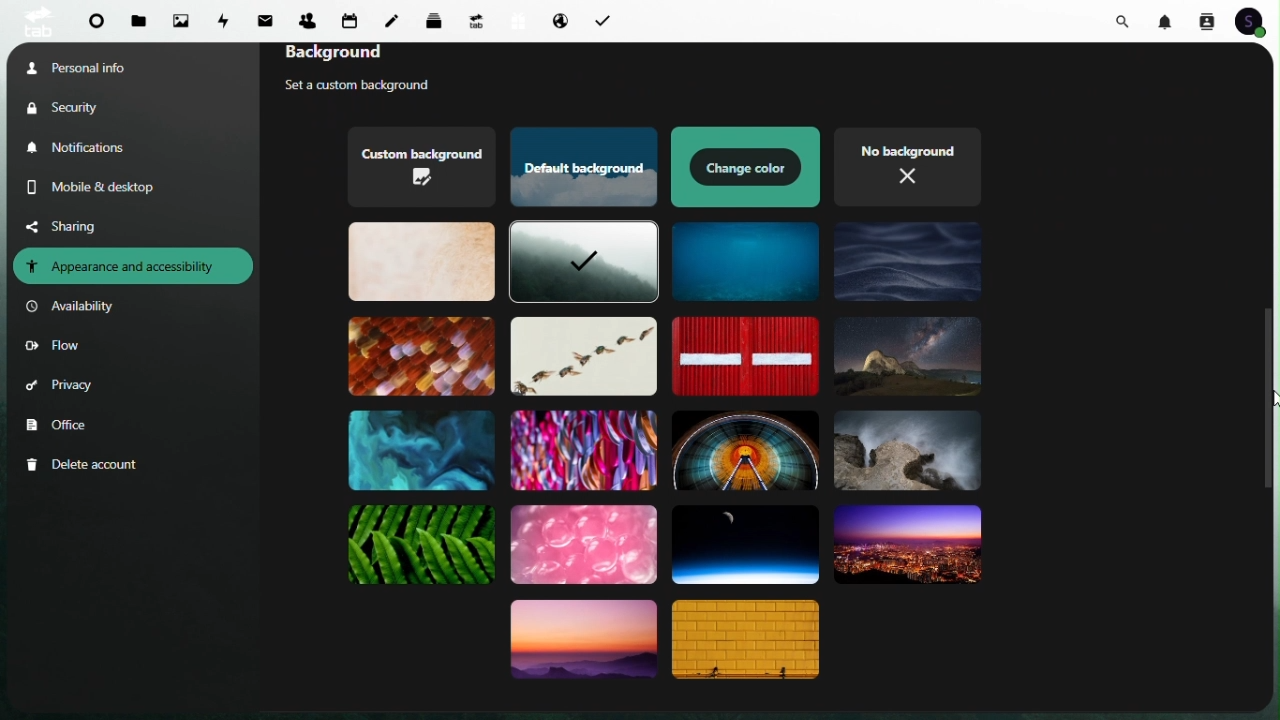 The height and width of the screenshot is (720, 1280). Describe the element at coordinates (226, 19) in the screenshot. I see `Activity` at that location.